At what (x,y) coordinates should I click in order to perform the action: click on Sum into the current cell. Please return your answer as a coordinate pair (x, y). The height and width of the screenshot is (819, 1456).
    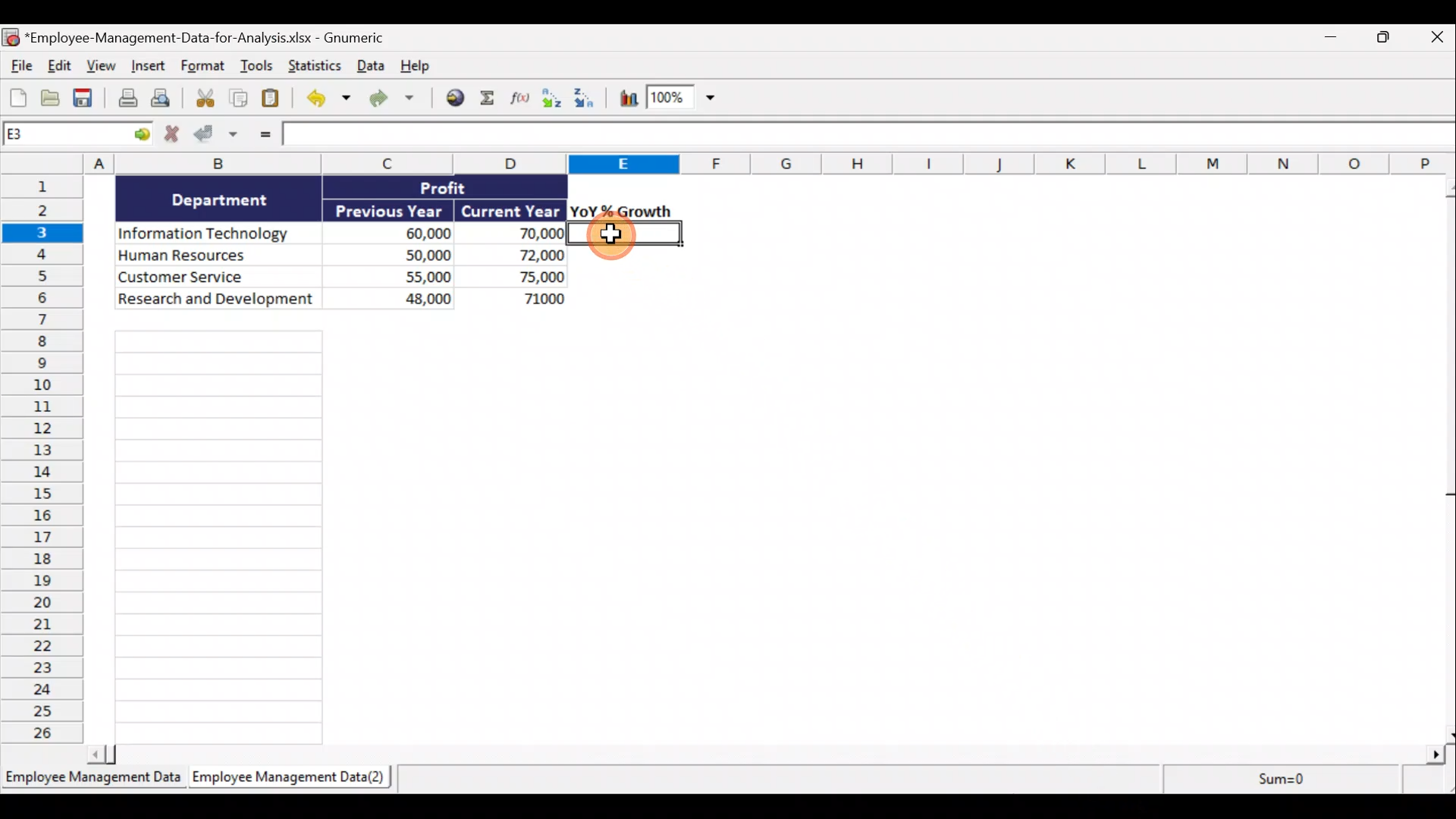
    Looking at the image, I should click on (491, 99).